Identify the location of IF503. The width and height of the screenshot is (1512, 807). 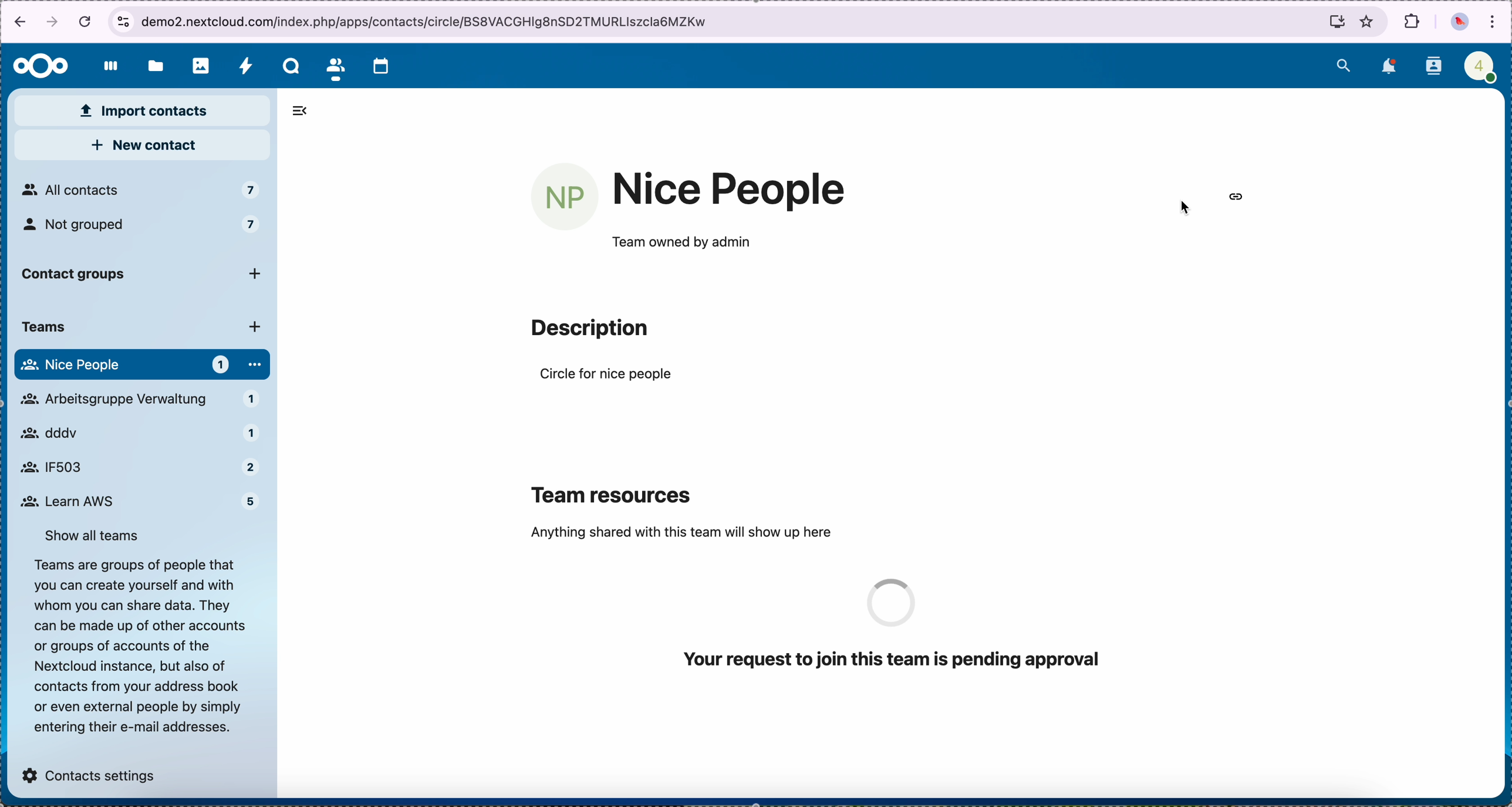
(134, 433).